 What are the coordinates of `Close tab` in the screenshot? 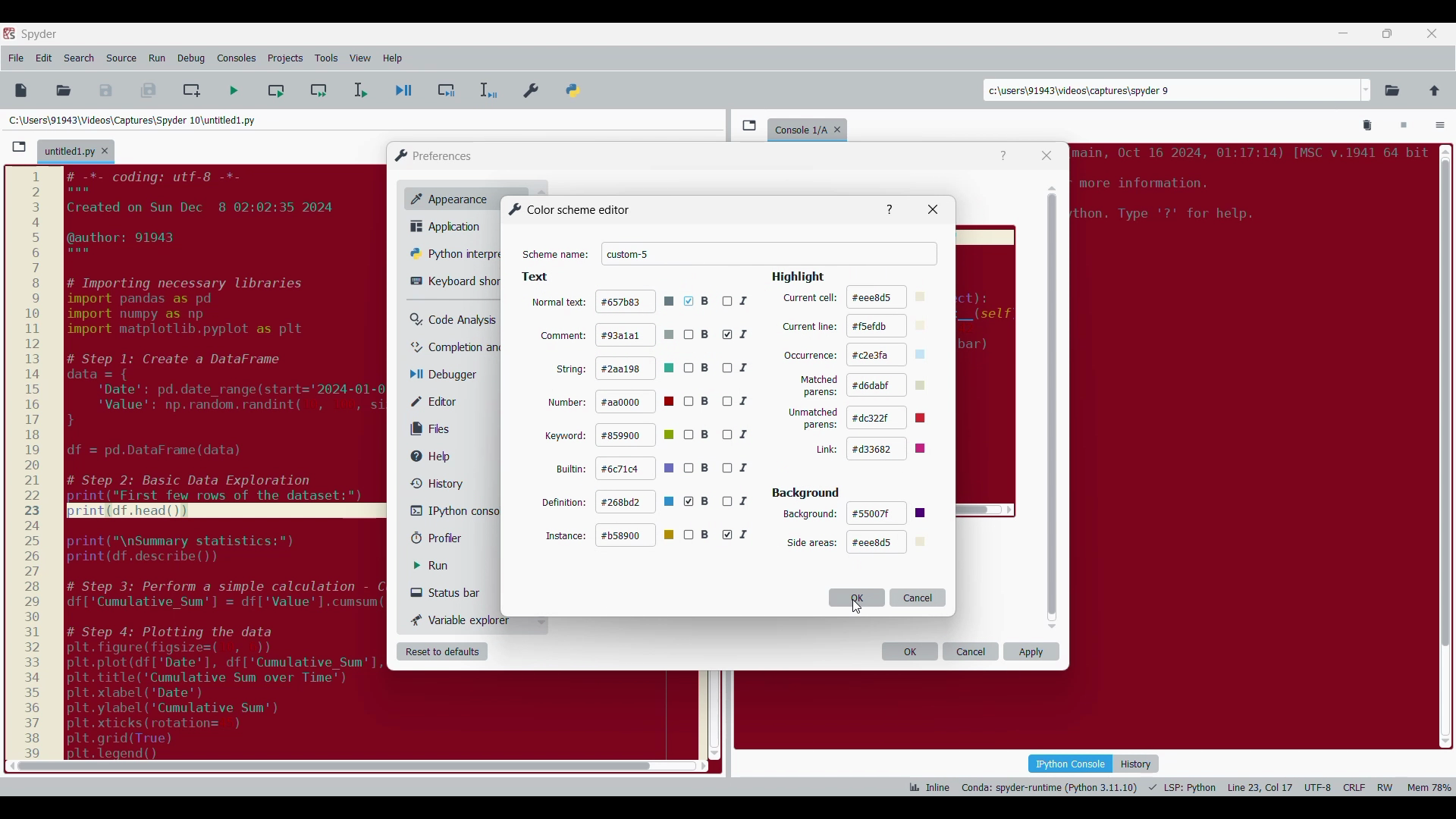 It's located at (105, 151).